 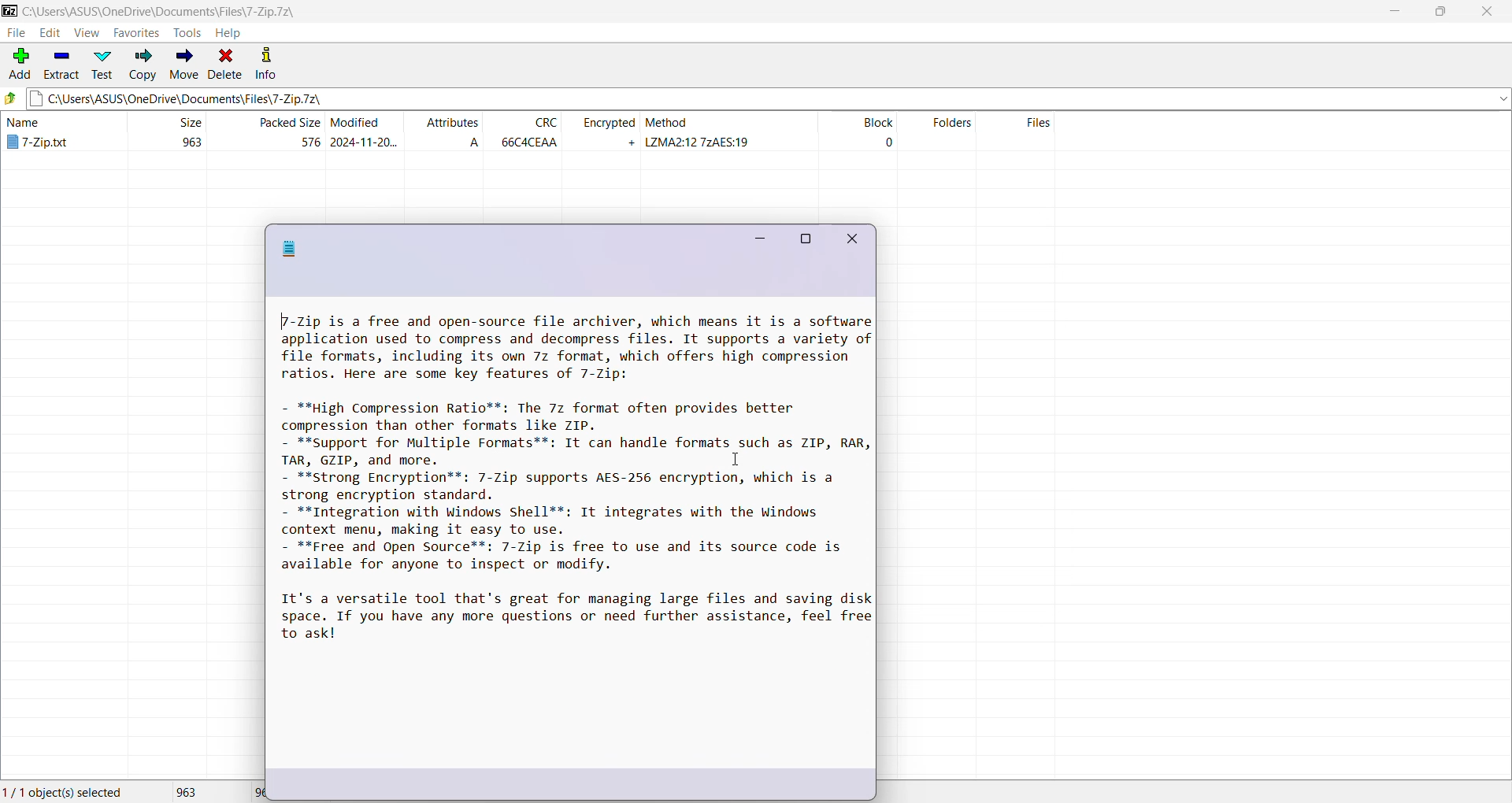 I want to click on Current Folder Path, so click(x=768, y=96).